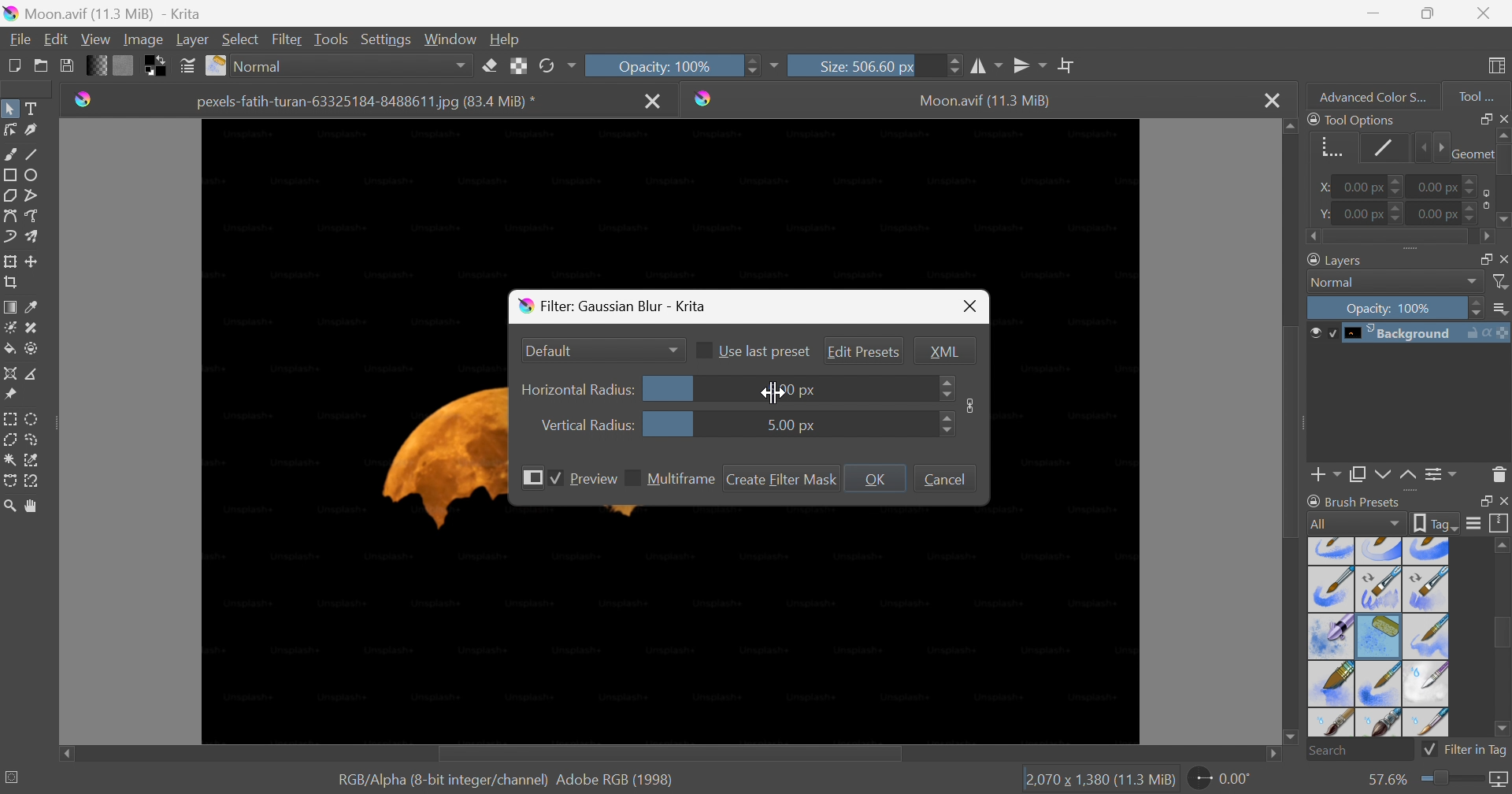 The width and height of the screenshot is (1512, 794). Describe the element at coordinates (1436, 524) in the screenshot. I see `tag` at that location.